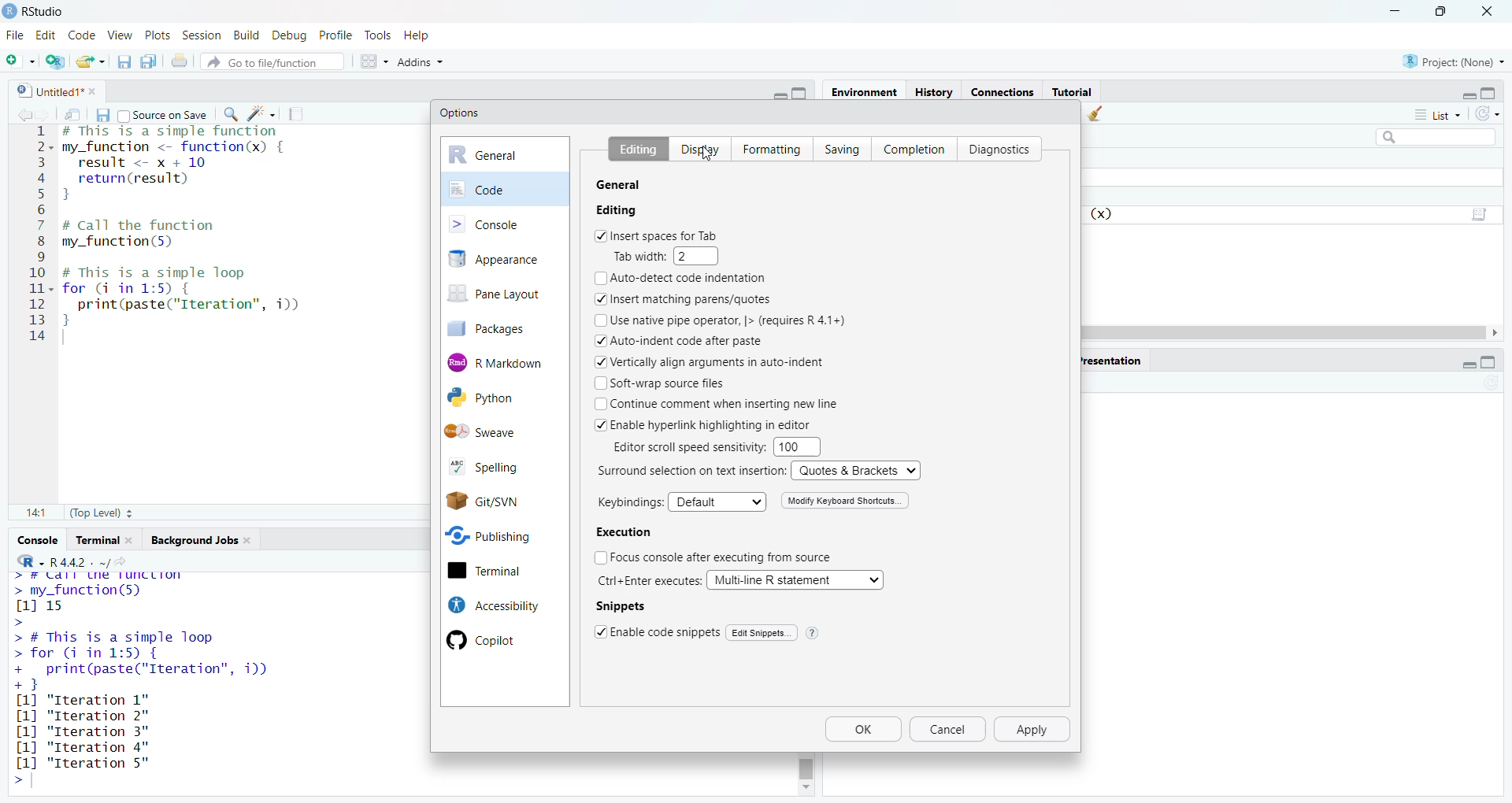  What do you see at coordinates (628, 532) in the screenshot?
I see `Execution` at bounding box center [628, 532].